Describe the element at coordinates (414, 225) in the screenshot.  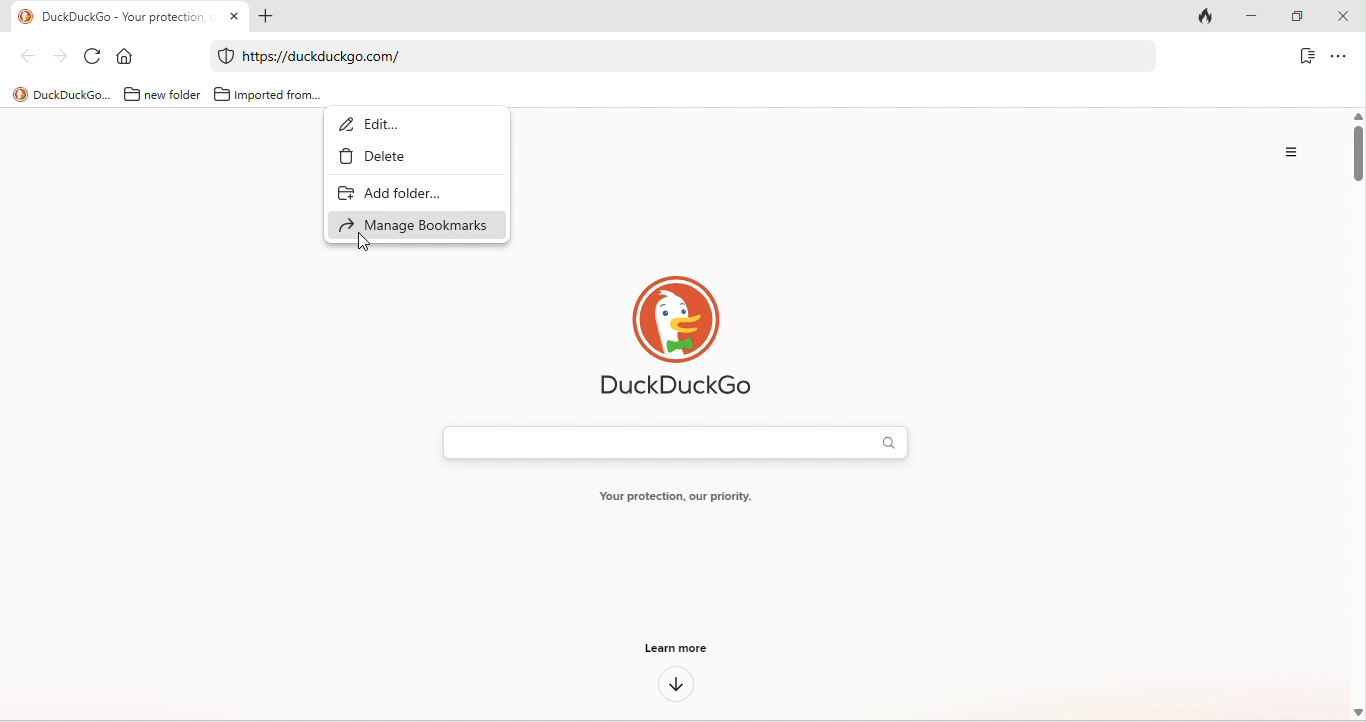
I see `manage bookmarks` at that location.